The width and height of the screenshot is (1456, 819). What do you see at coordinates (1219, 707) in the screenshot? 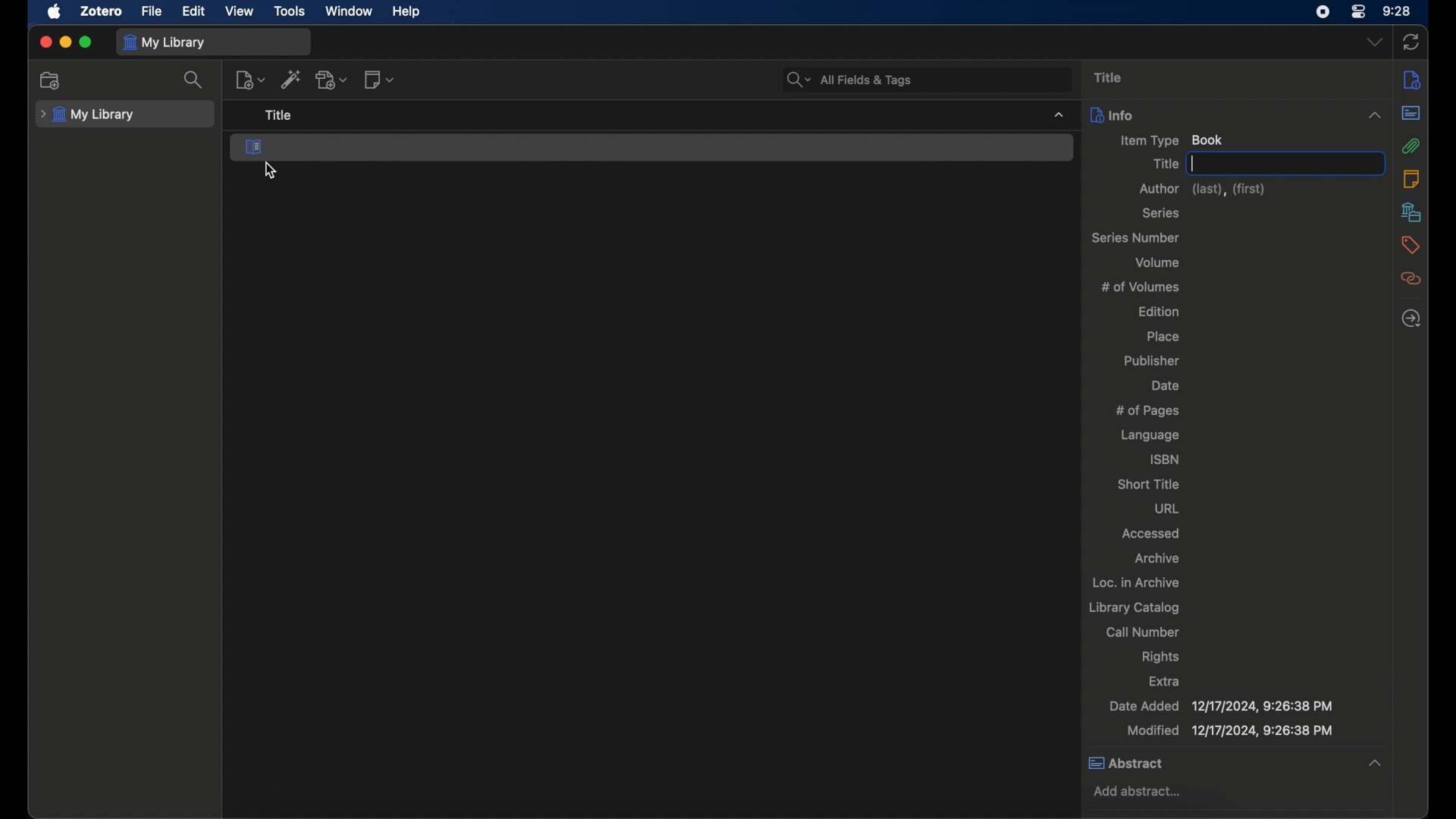
I see `date added` at bounding box center [1219, 707].